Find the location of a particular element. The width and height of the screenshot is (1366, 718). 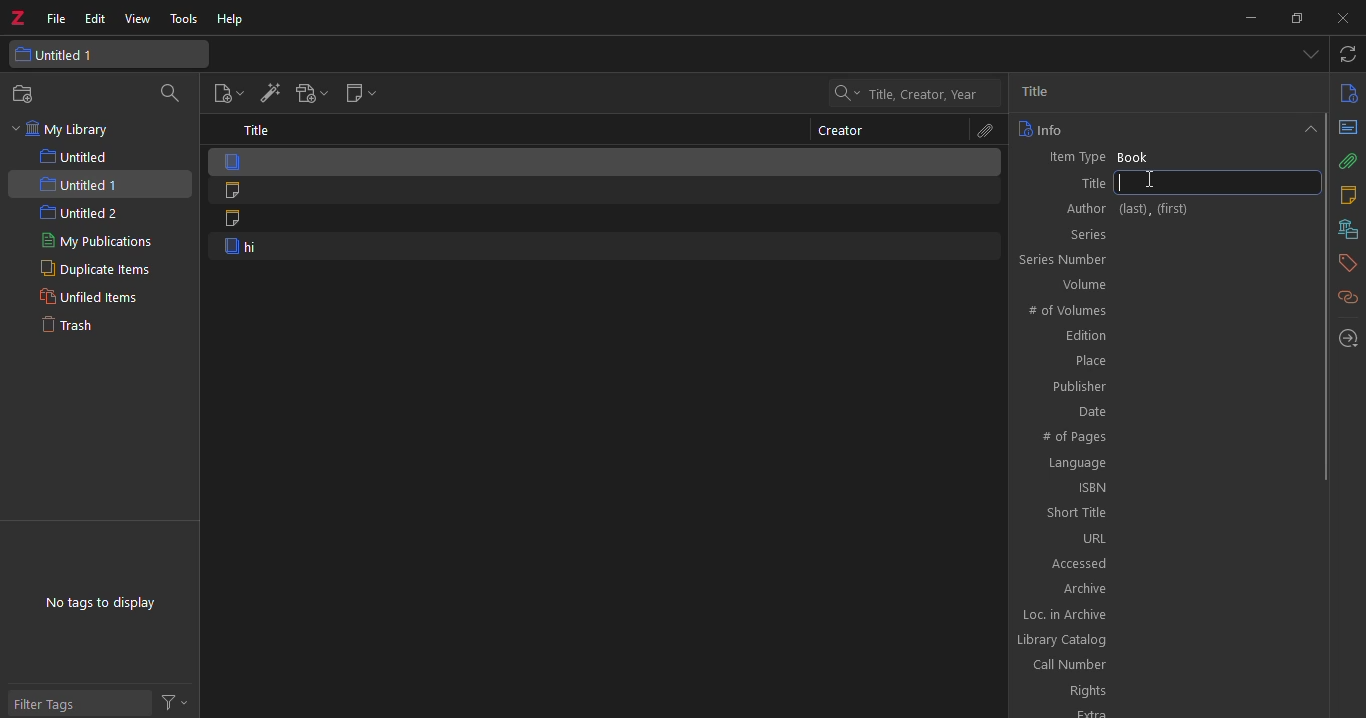

view is located at coordinates (140, 19).